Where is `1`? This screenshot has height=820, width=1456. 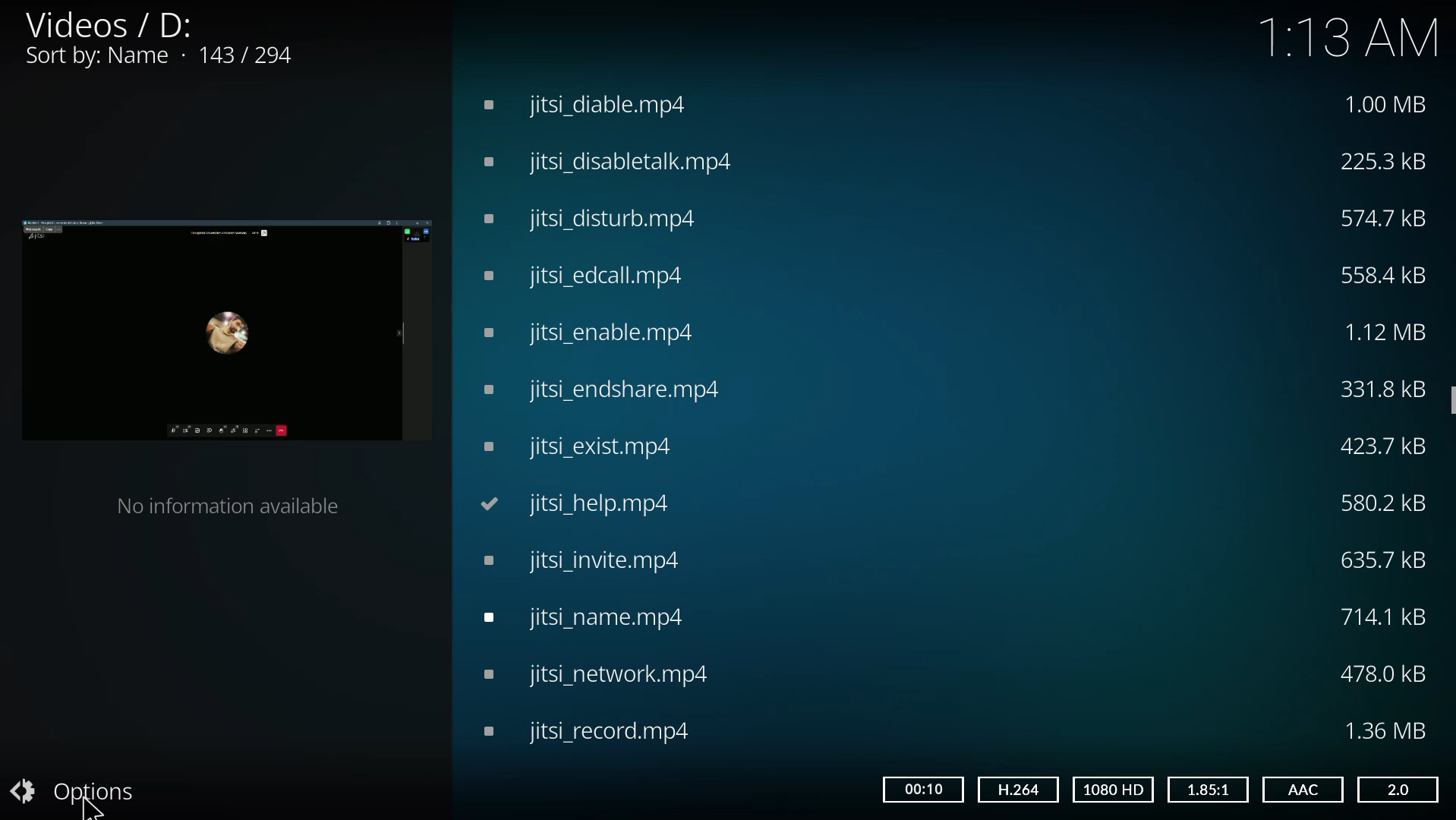
1 is located at coordinates (1209, 787).